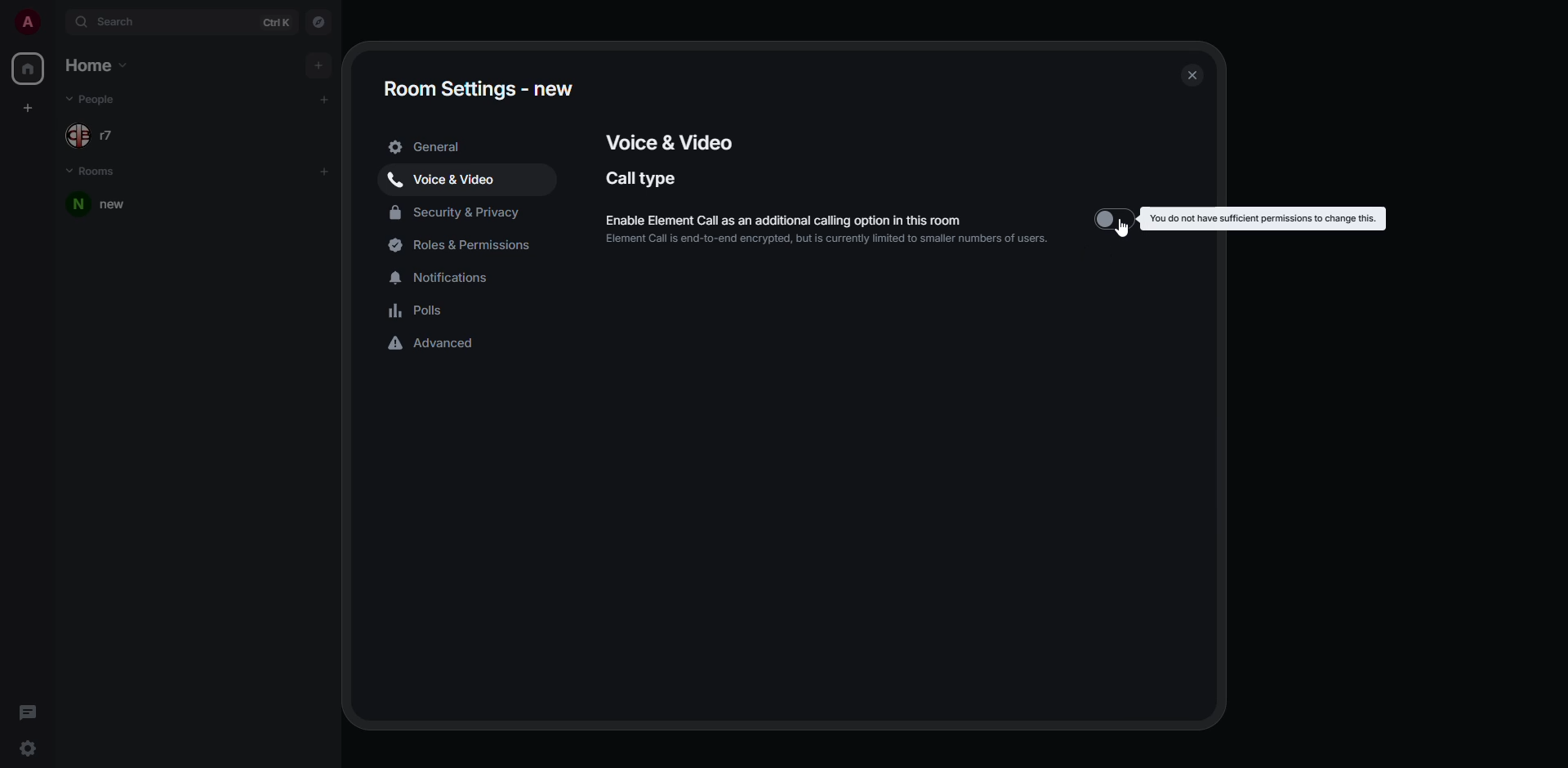 The width and height of the screenshot is (1568, 768). Describe the element at coordinates (319, 23) in the screenshot. I see `navigator` at that location.